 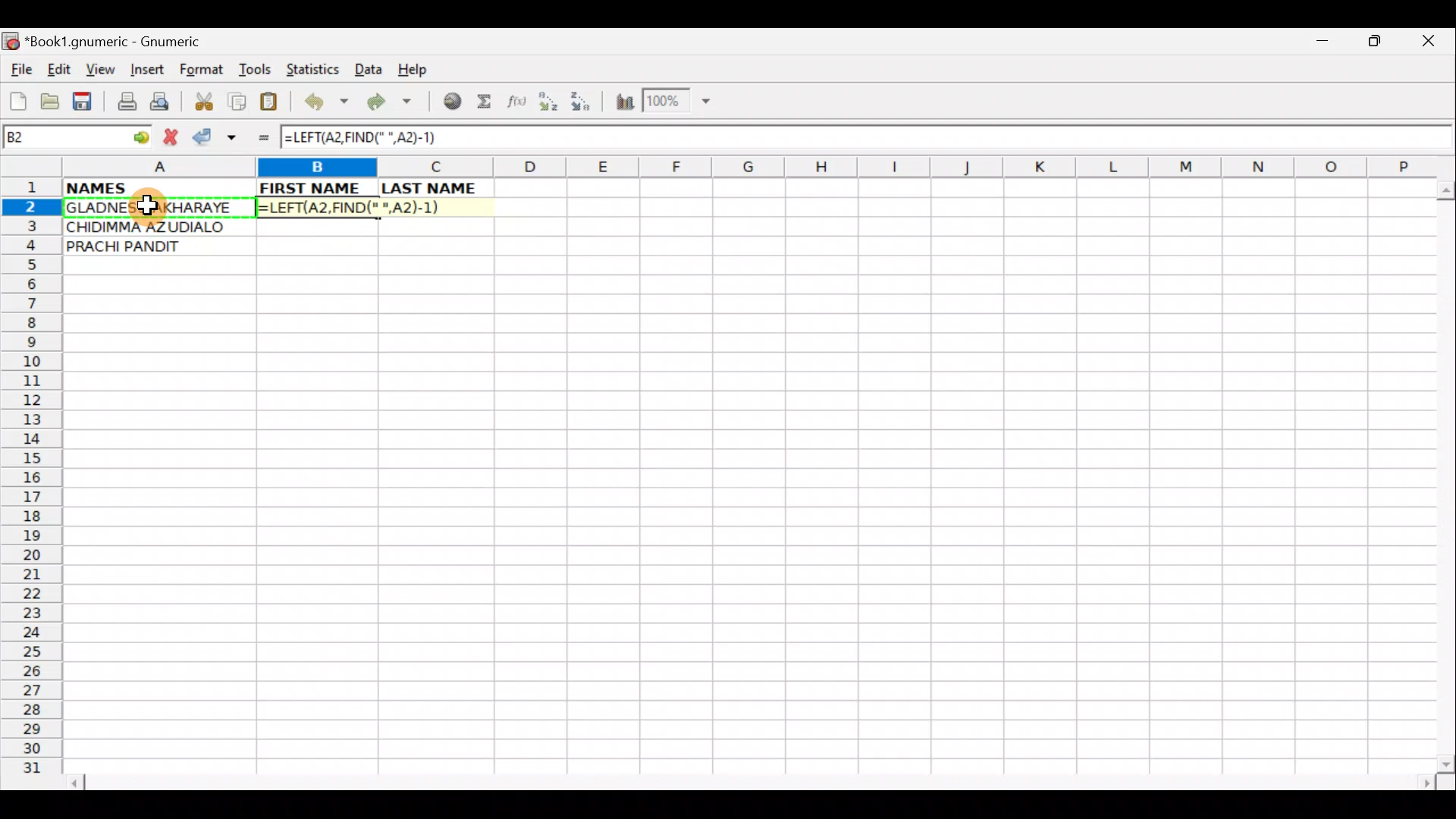 What do you see at coordinates (553, 105) in the screenshot?
I see `Sort Ascending order` at bounding box center [553, 105].